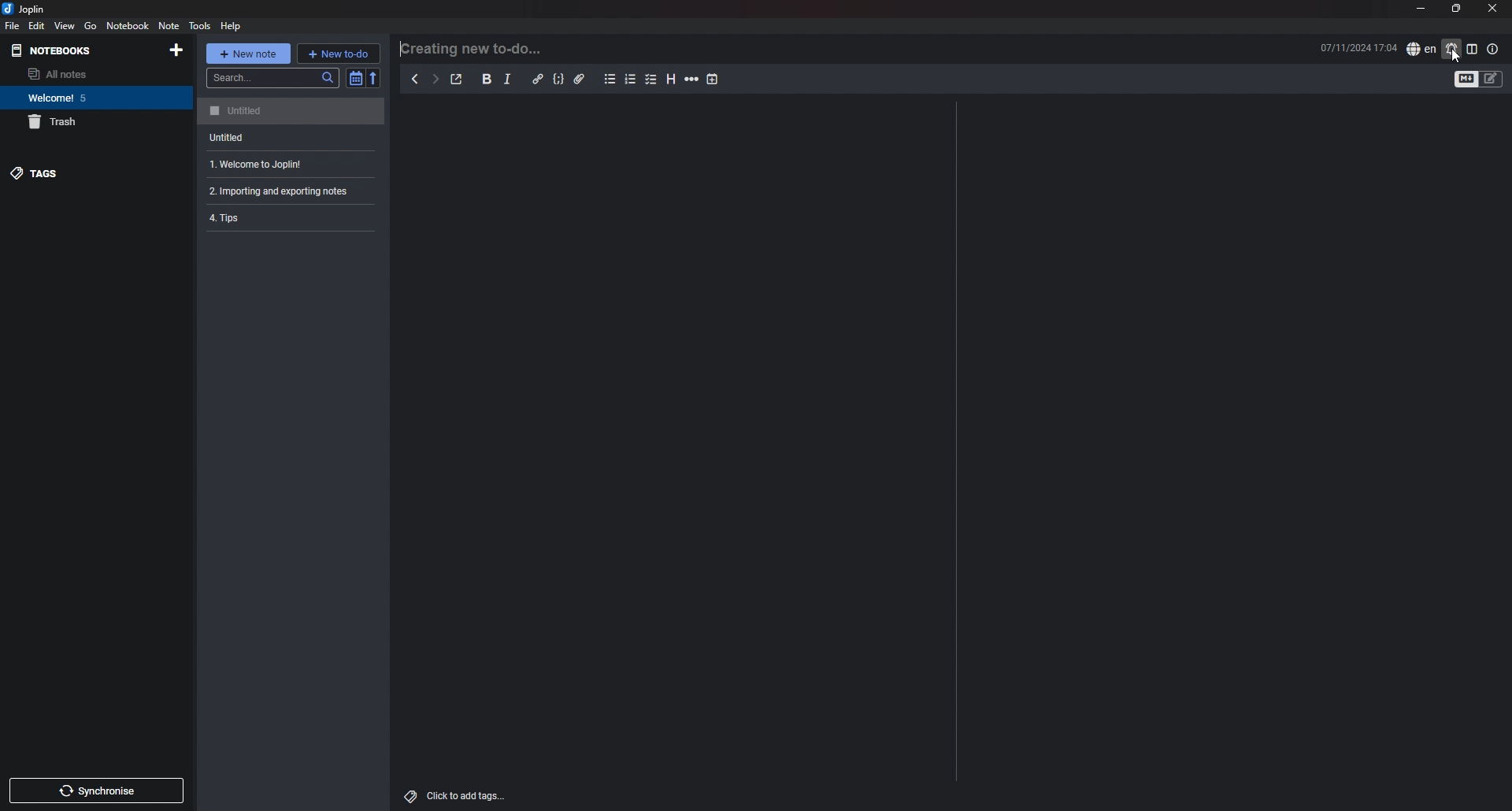 This screenshot has width=1512, height=811. Describe the element at coordinates (96, 790) in the screenshot. I see `sync` at that location.